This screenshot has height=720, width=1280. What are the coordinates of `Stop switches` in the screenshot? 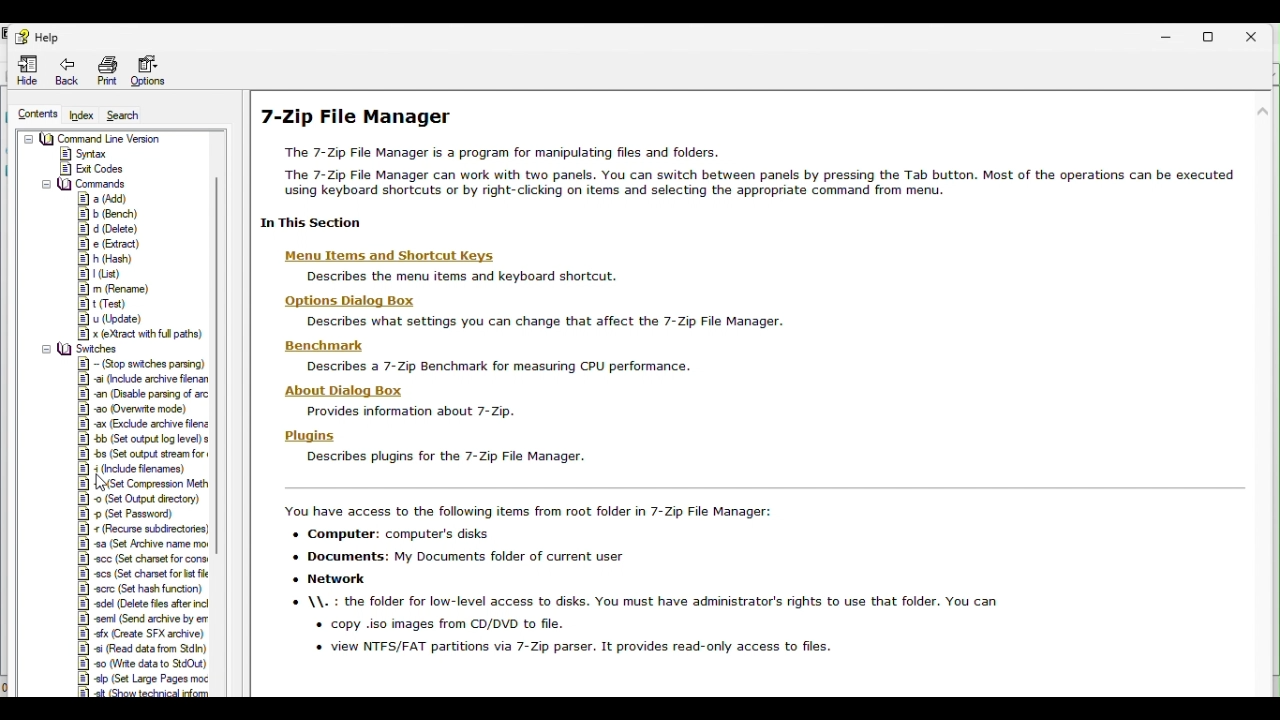 It's located at (140, 364).